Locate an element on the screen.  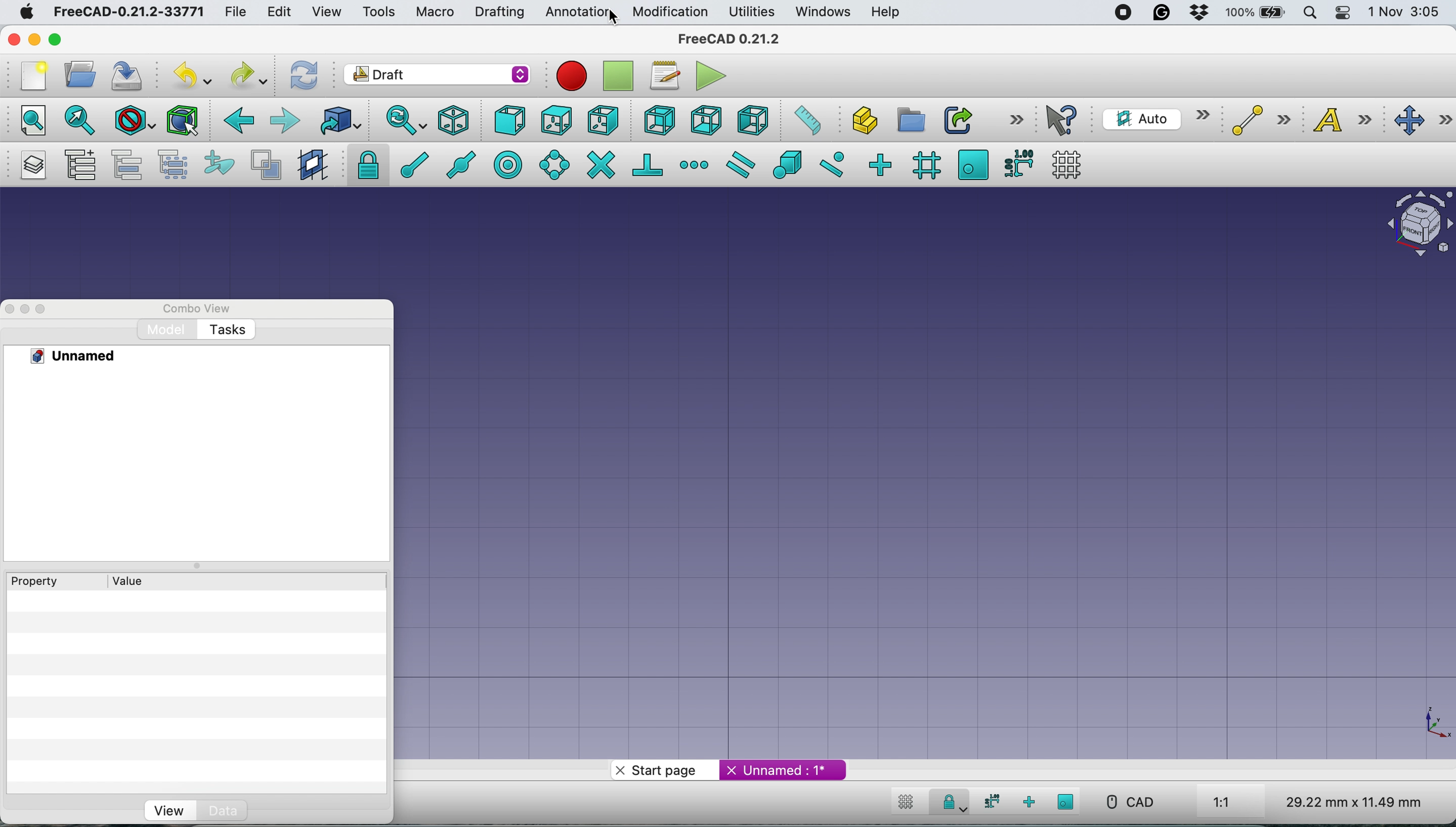
Selection filter is located at coordinates (184, 120).